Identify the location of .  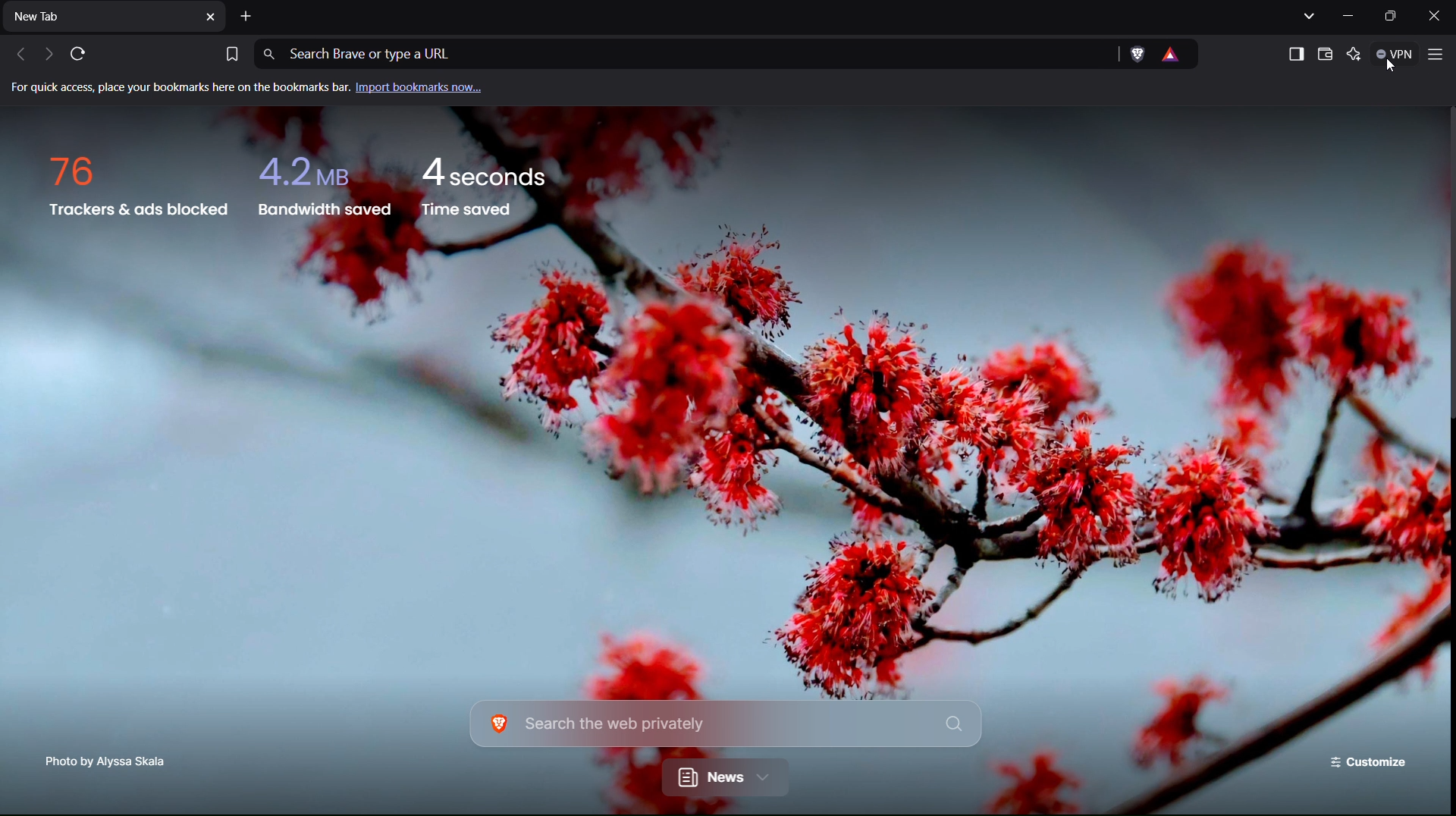
(1392, 68).